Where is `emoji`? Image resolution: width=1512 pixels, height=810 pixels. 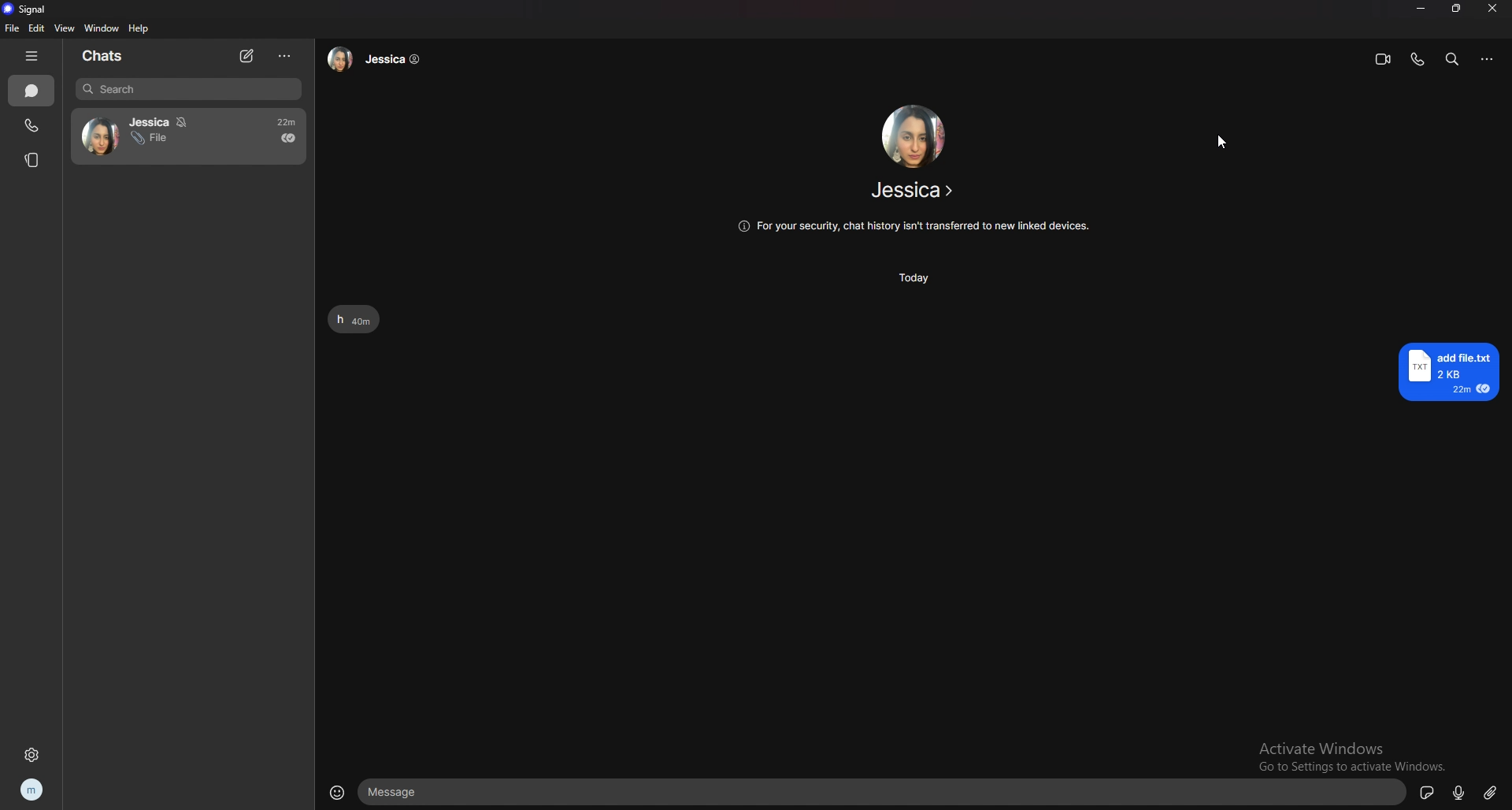
emoji is located at coordinates (338, 794).